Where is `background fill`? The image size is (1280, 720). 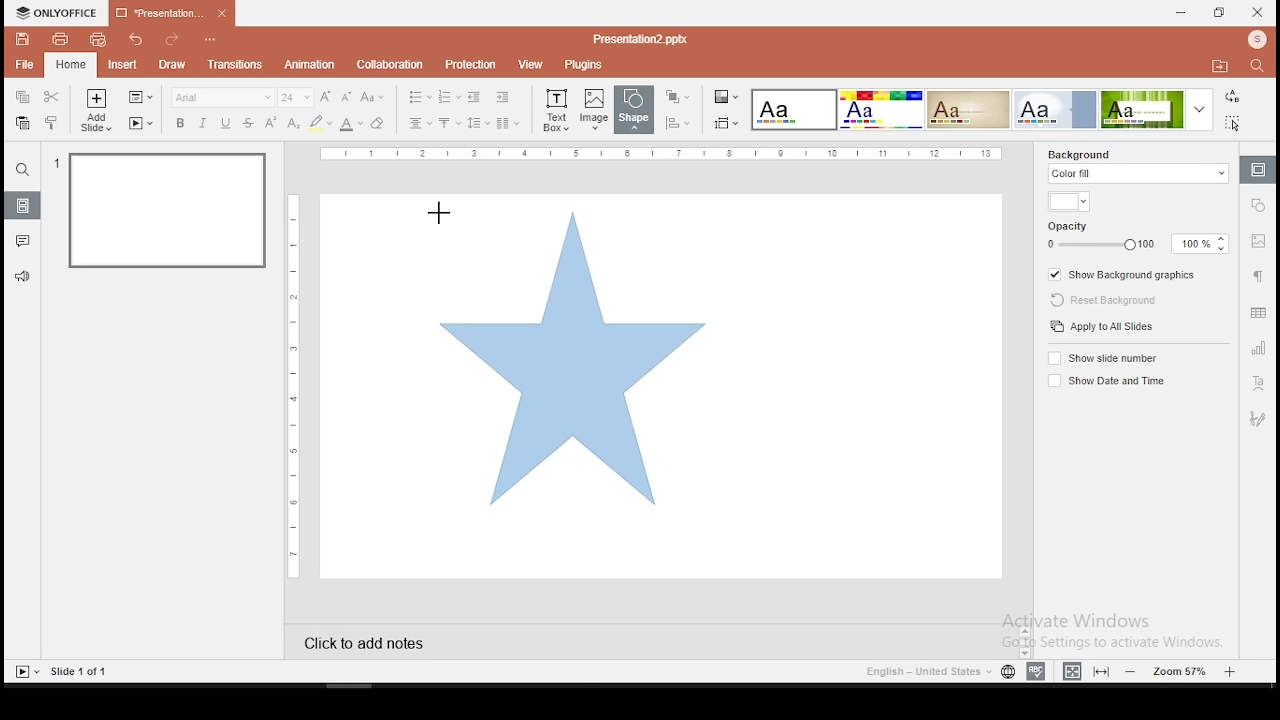
background fill is located at coordinates (1139, 168).